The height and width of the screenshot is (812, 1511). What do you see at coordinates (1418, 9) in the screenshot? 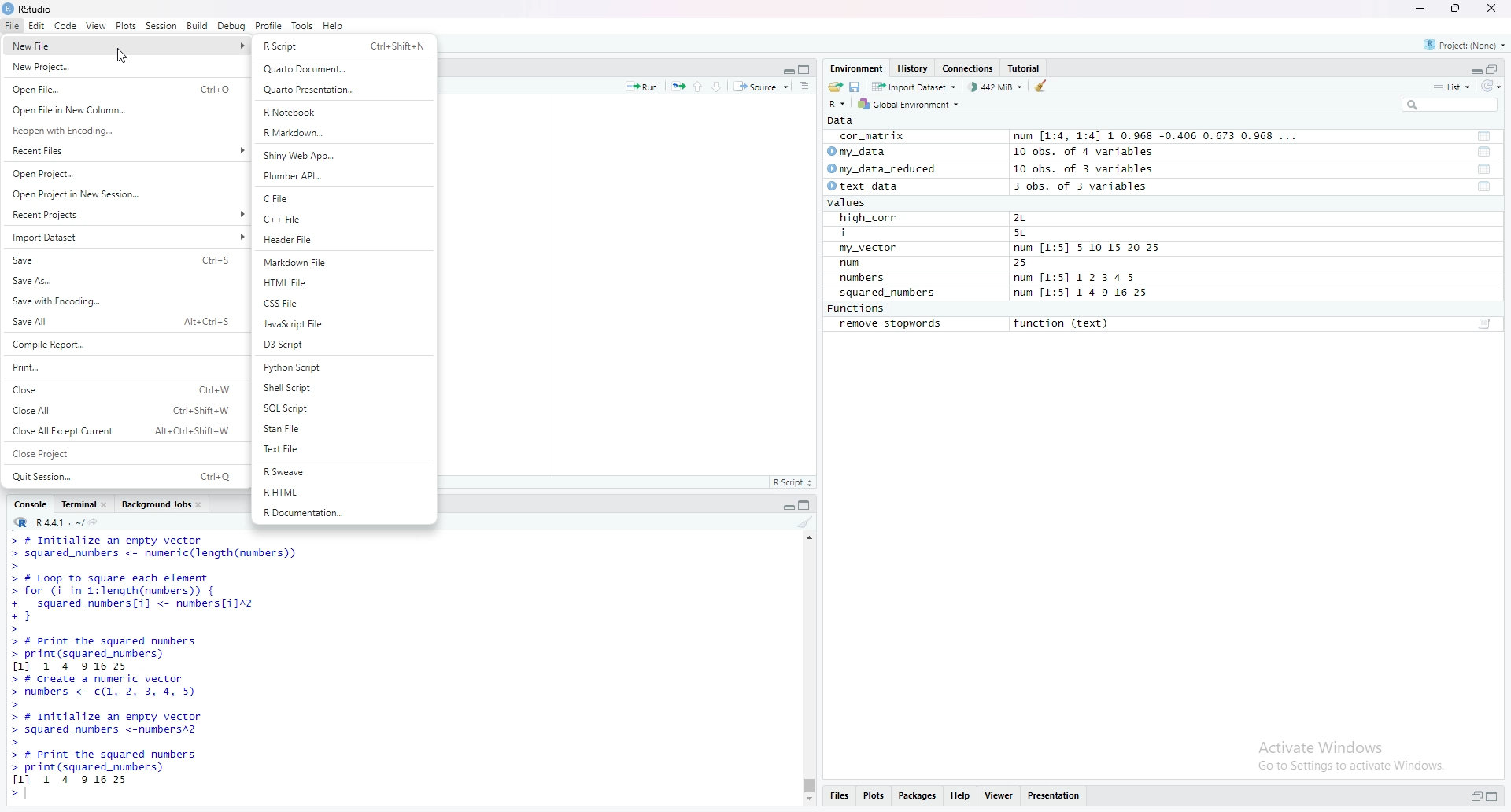
I see `minimize` at bounding box center [1418, 9].